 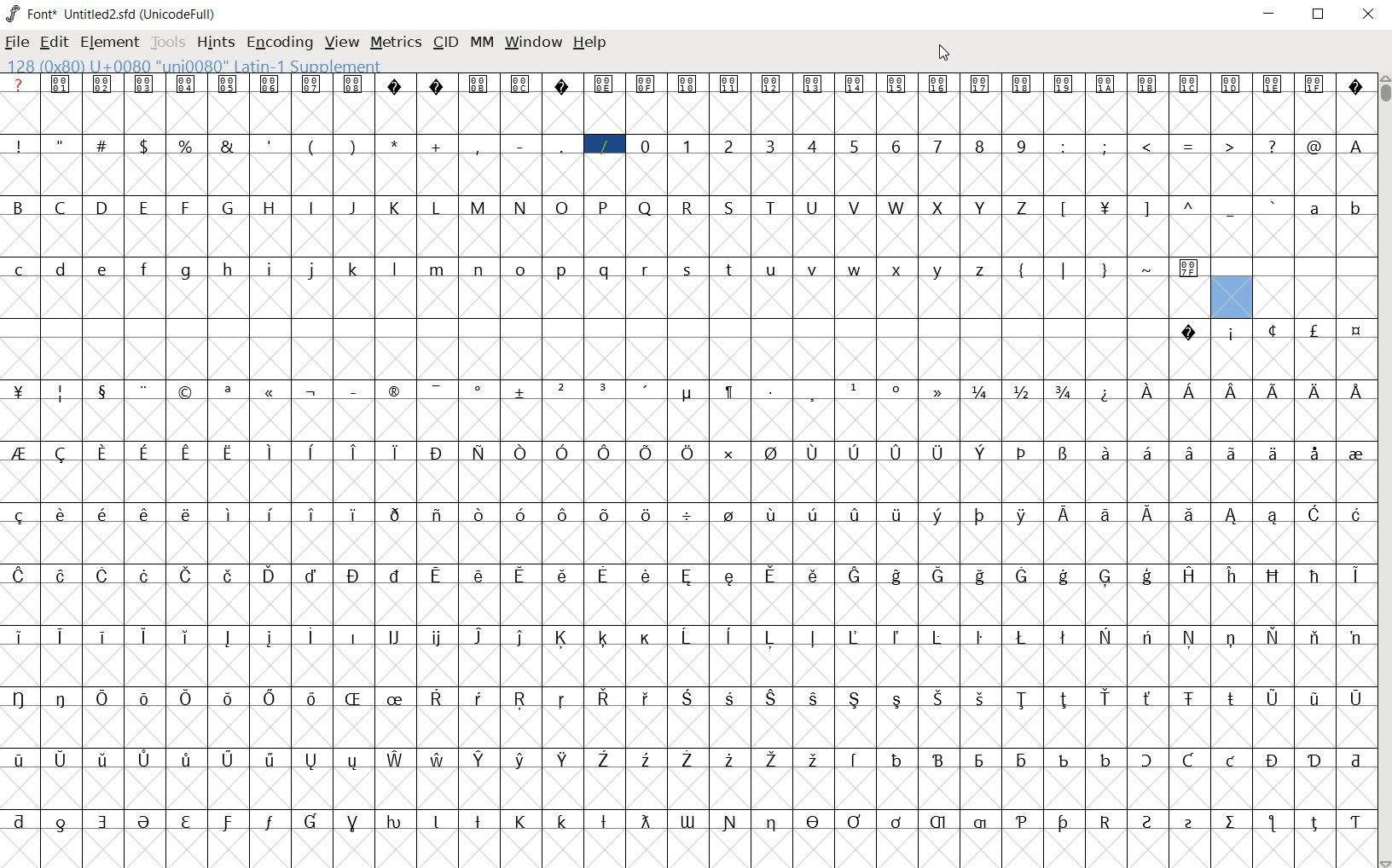 I want to click on METRICS, so click(x=396, y=41).